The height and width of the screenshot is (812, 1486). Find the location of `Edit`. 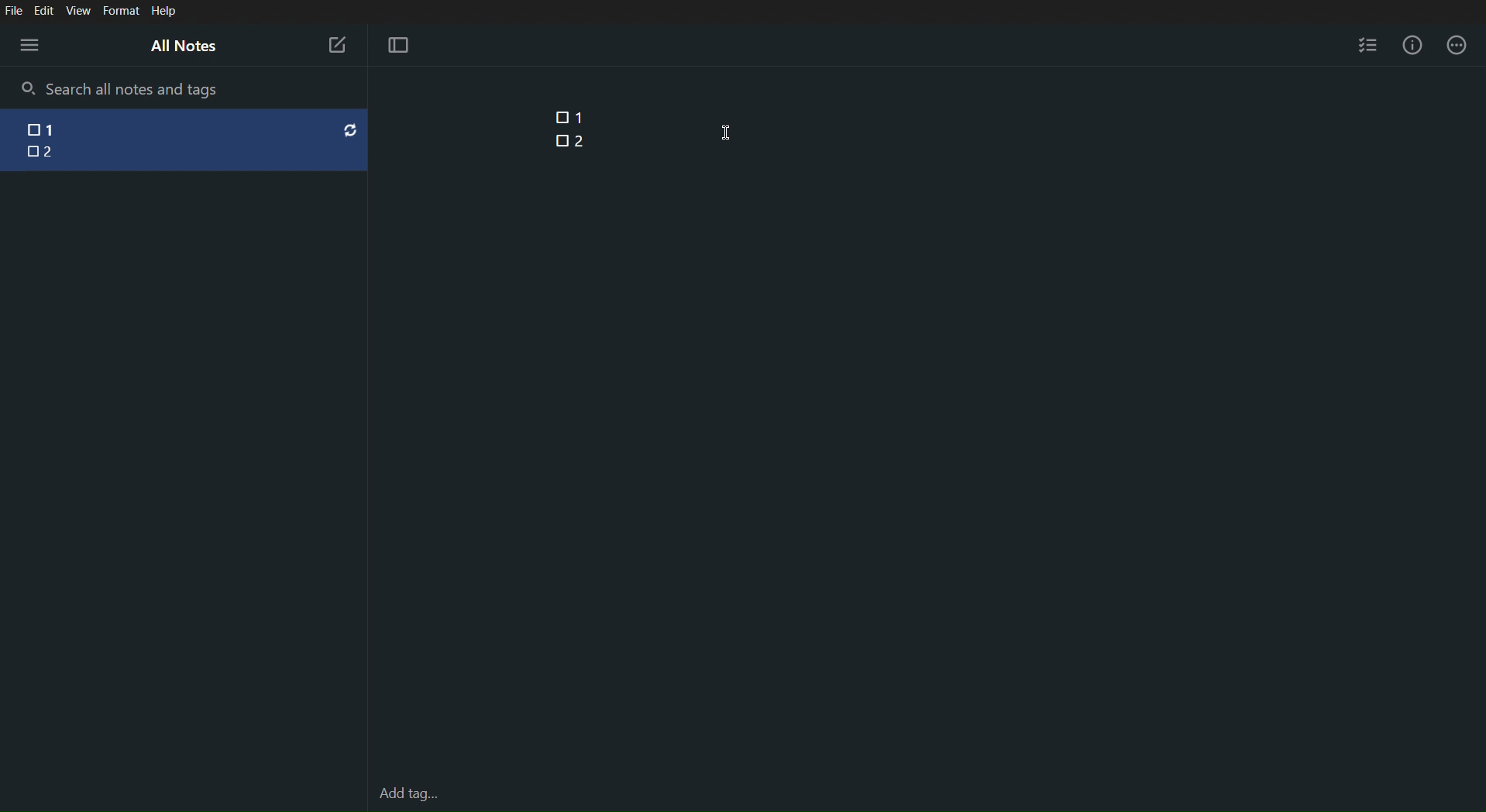

Edit is located at coordinates (44, 10).